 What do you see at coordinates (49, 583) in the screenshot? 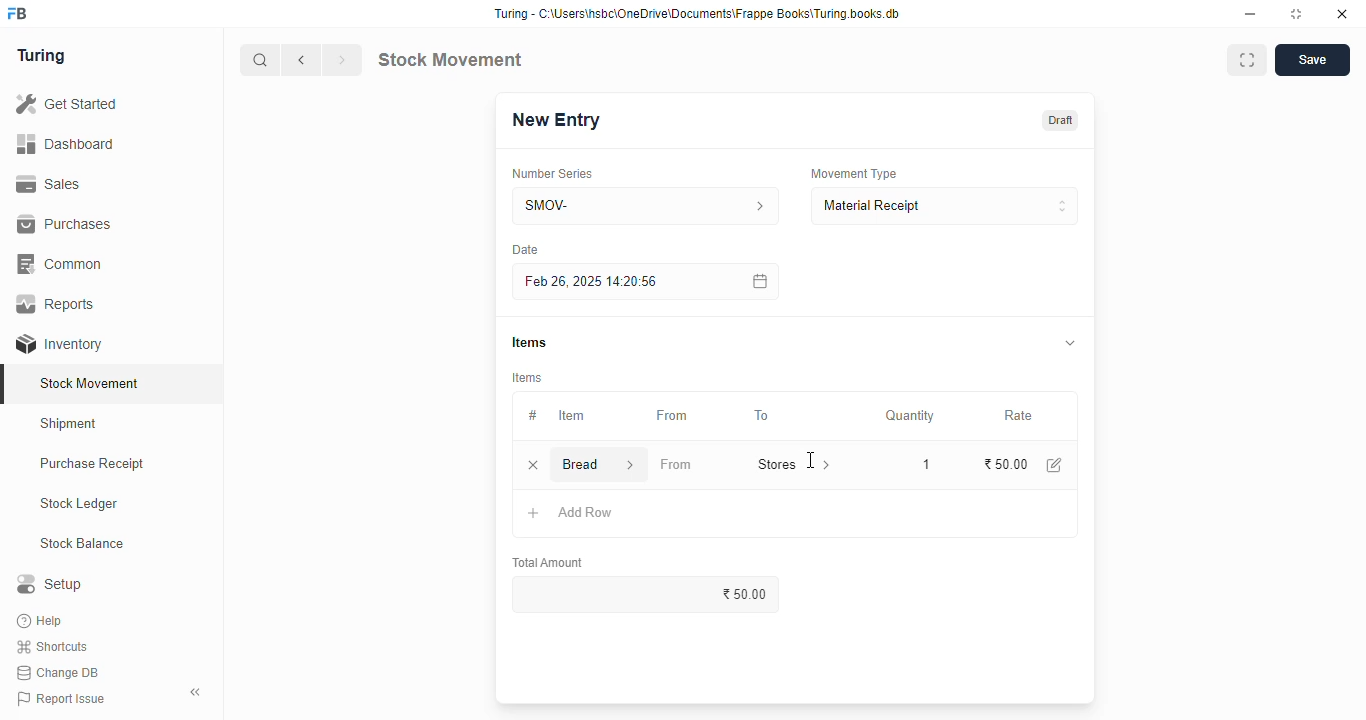
I see `setup` at bounding box center [49, 583].